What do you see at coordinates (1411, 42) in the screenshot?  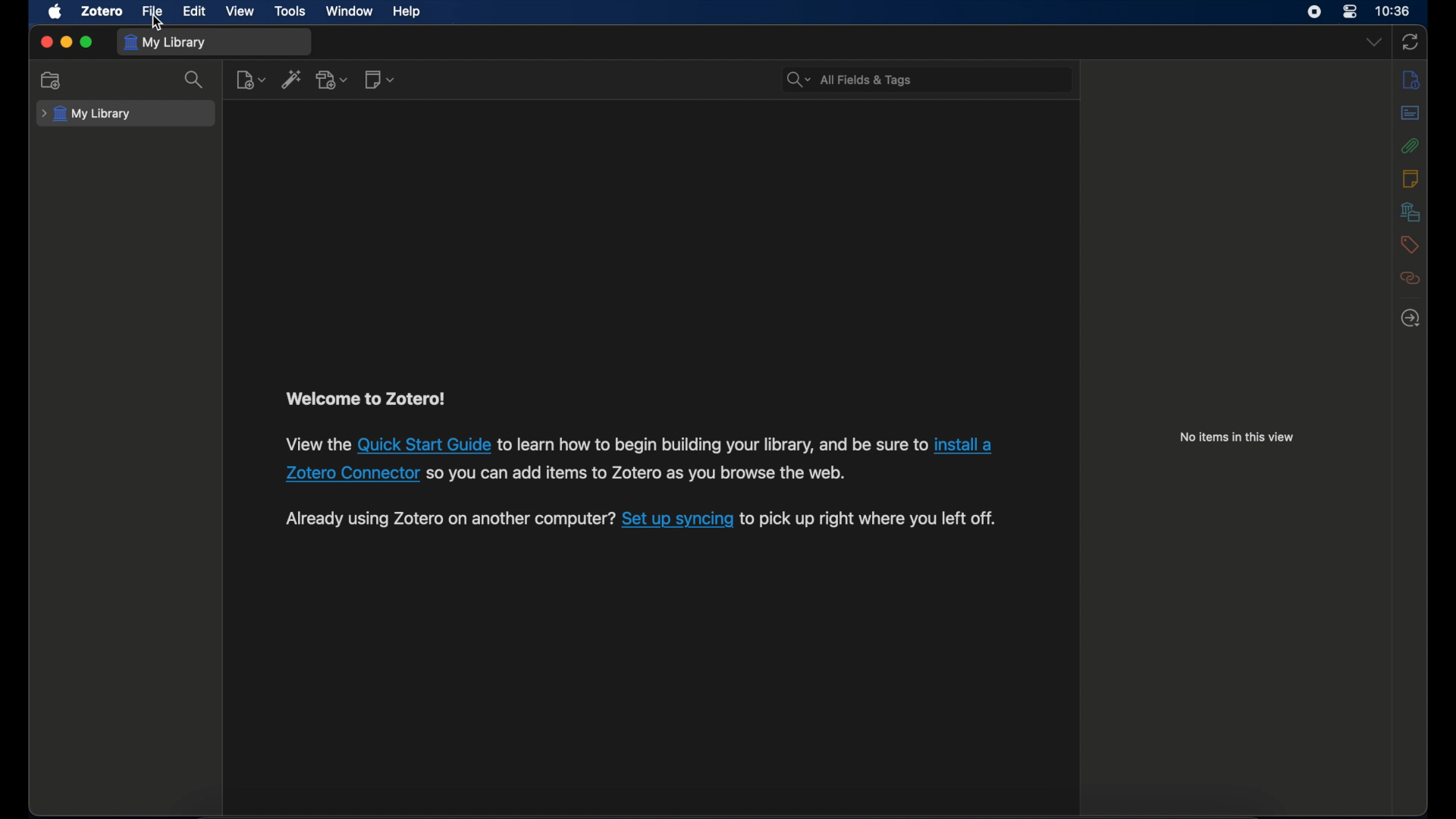 I see `sync` at bounding box center [1411, 42].